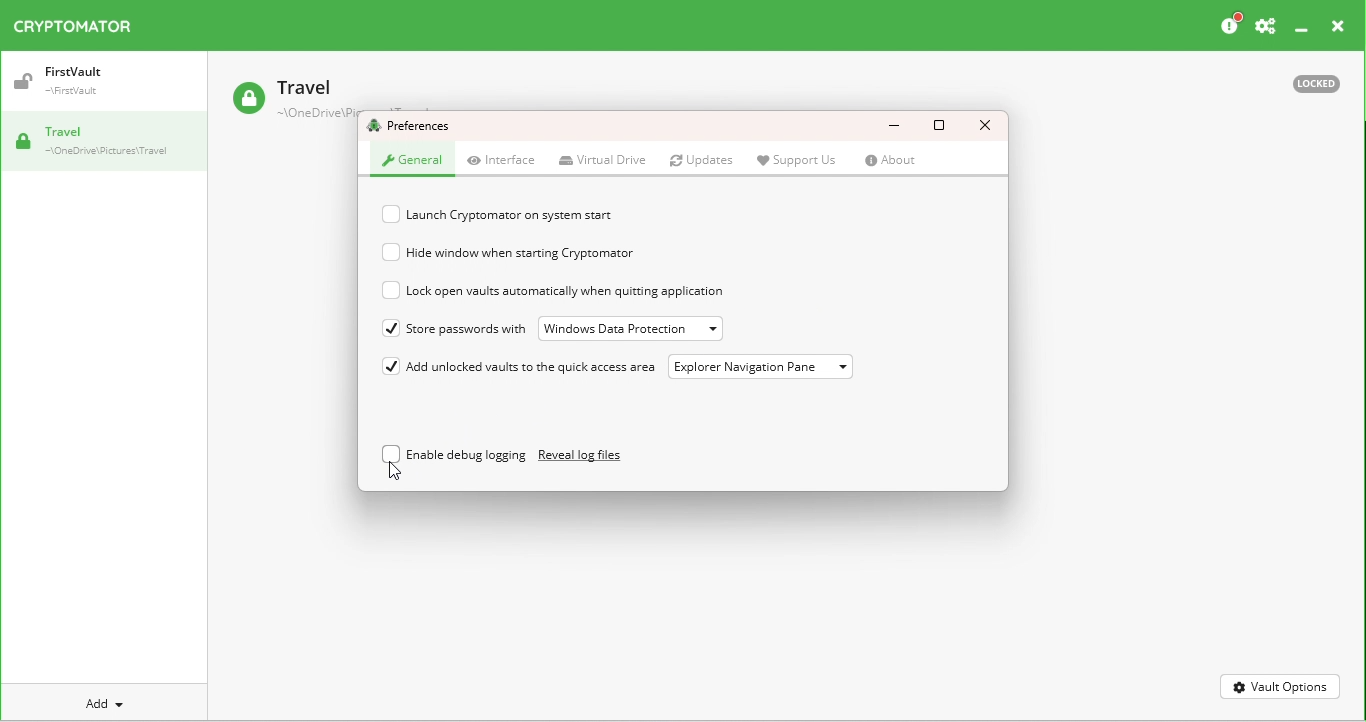 Image resolution: width=1366 pixels, height=722 pixels. What do you see at coordinates (702, 159) in the screenshot?
I see `Updates` at bounding box center [702, 159].